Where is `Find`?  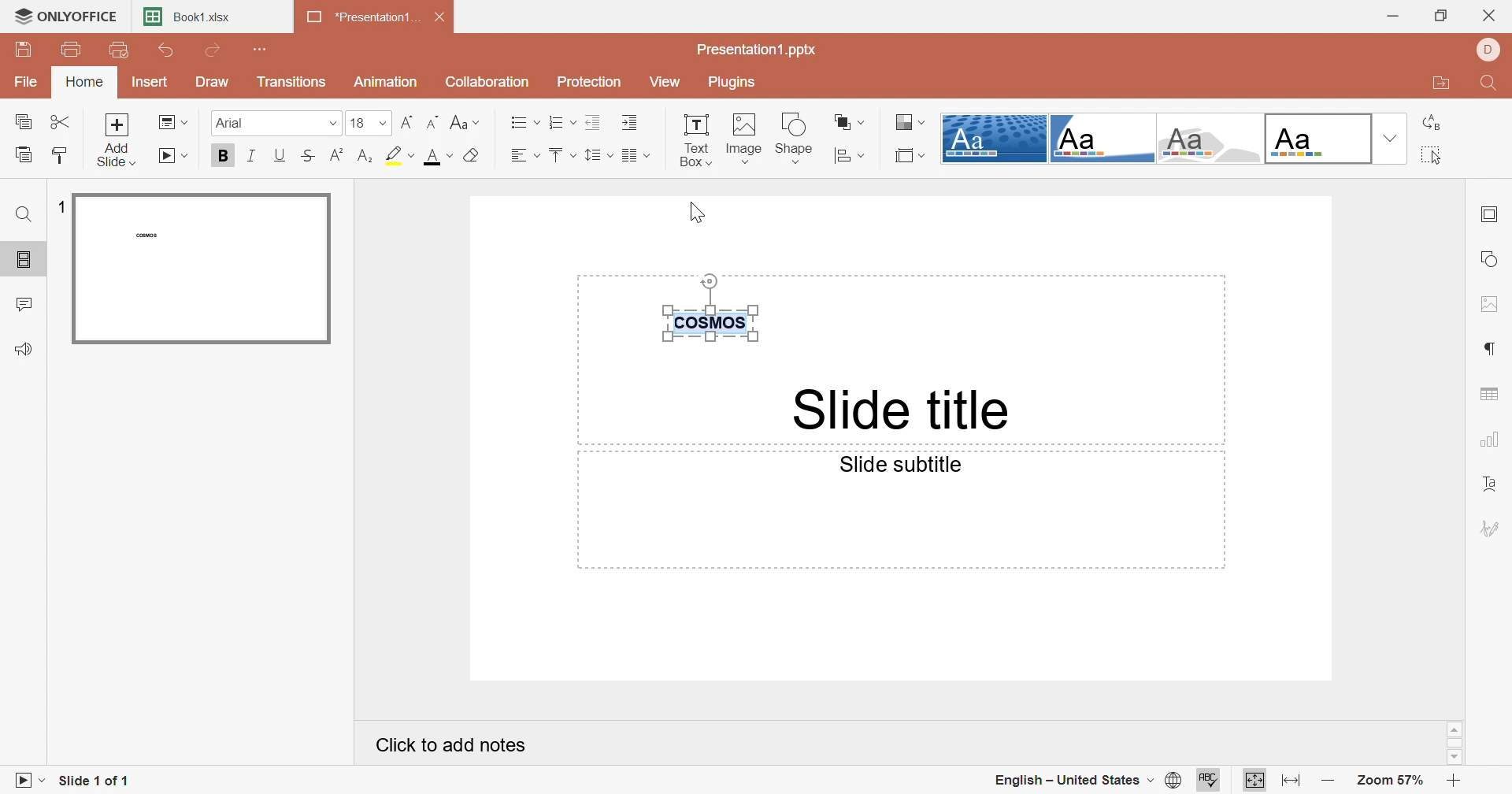
Find is located at coordinates (1492, 86).